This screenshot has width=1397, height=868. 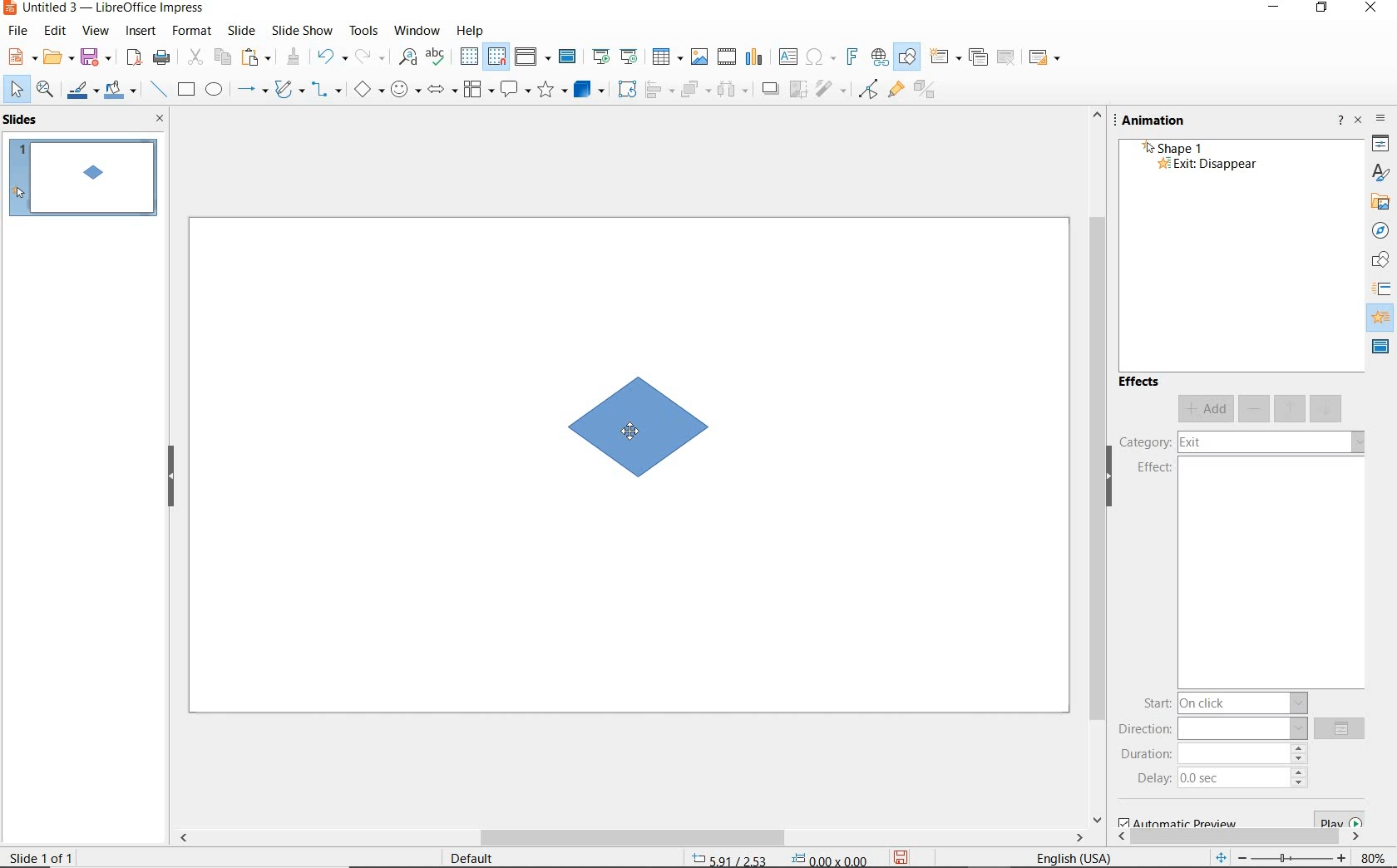 What do you see at coordinates (638, 427) in the screenshot?
I see `element` at bounding box center [638, 427].